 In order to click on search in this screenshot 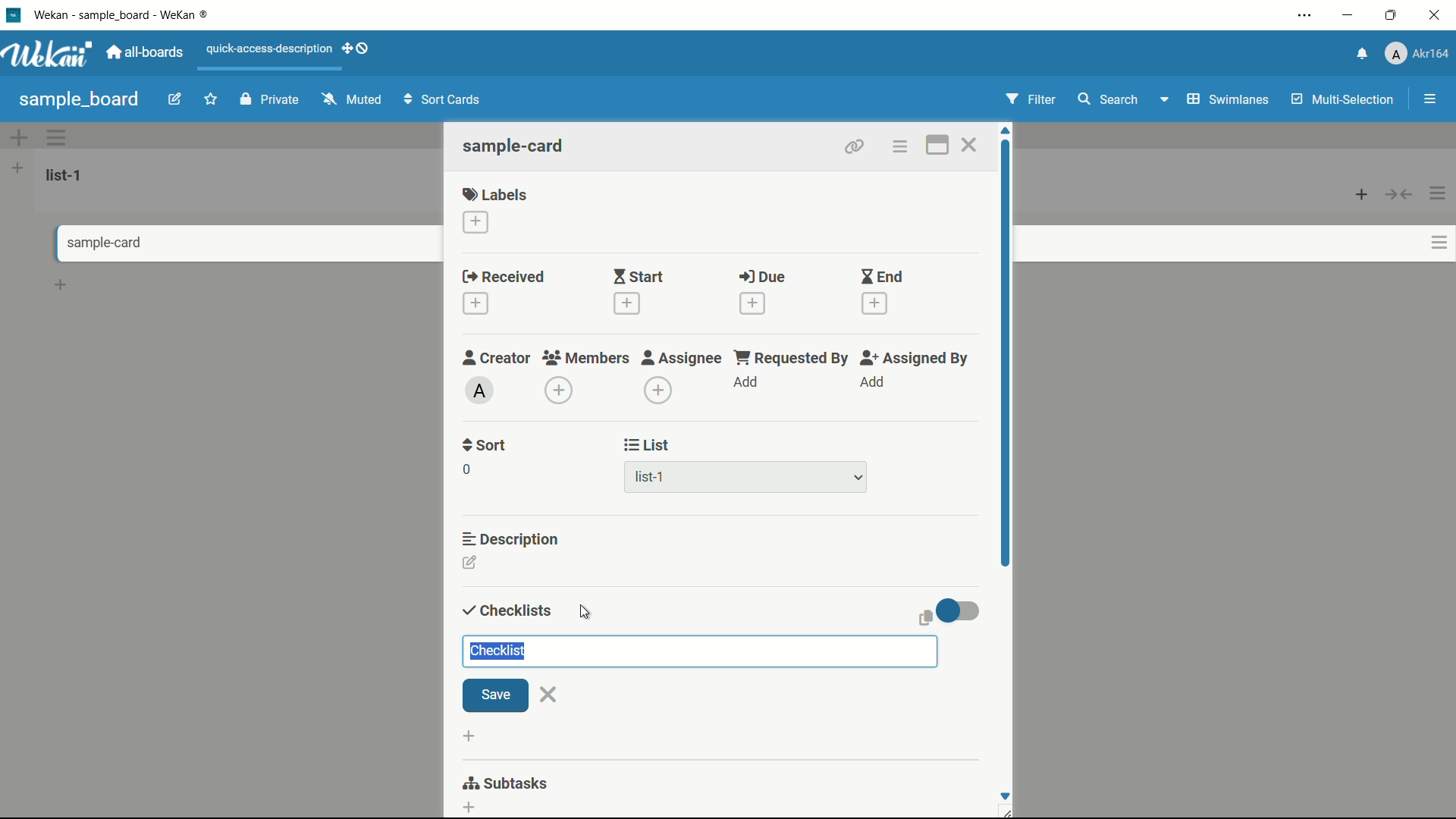, I will do `click(1106, 99)`.